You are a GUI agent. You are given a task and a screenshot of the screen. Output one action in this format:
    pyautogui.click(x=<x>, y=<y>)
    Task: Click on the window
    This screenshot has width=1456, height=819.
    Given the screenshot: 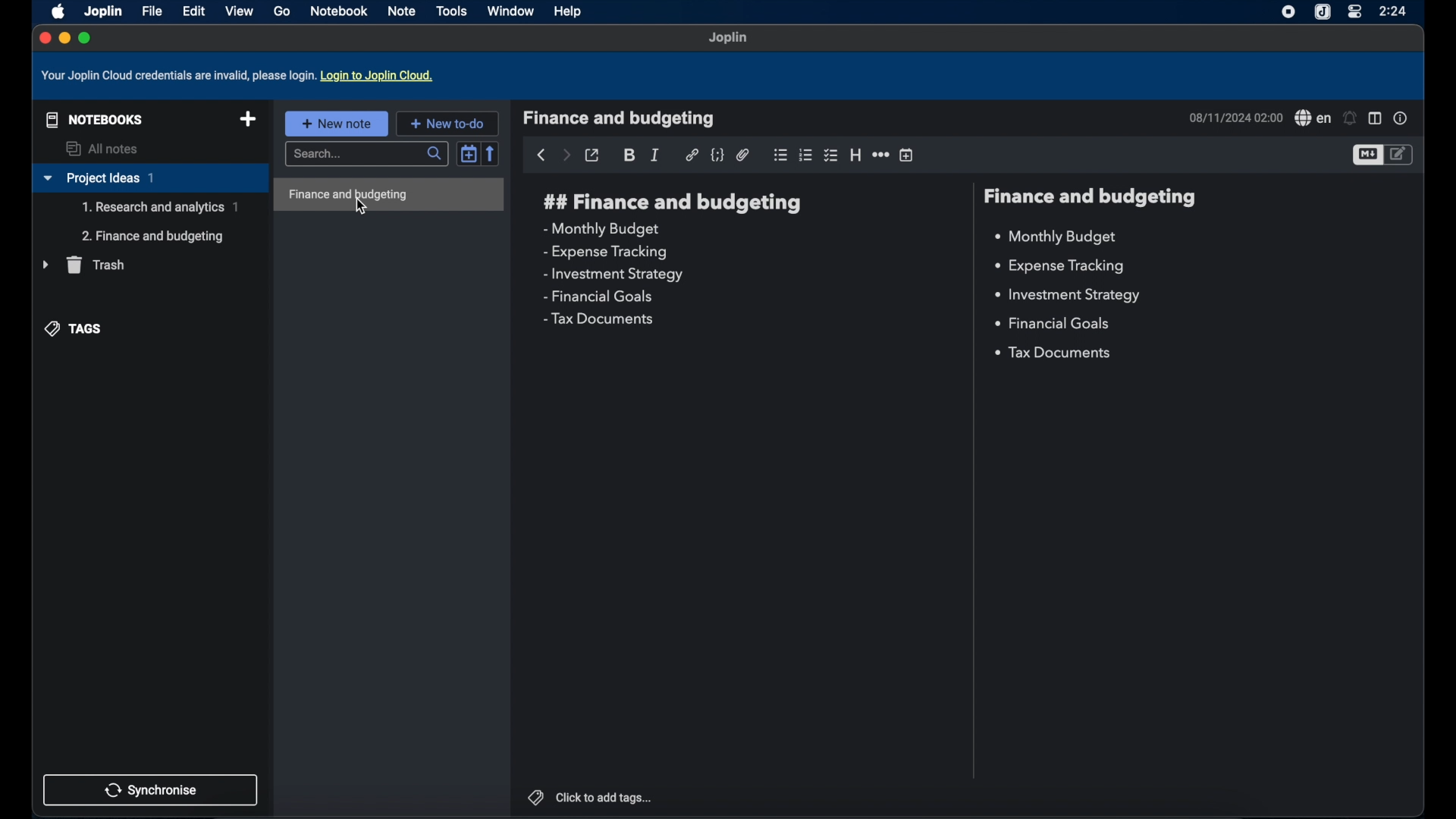 What is the action you would take?
    pyautogui.click(x=510, y=11)
    